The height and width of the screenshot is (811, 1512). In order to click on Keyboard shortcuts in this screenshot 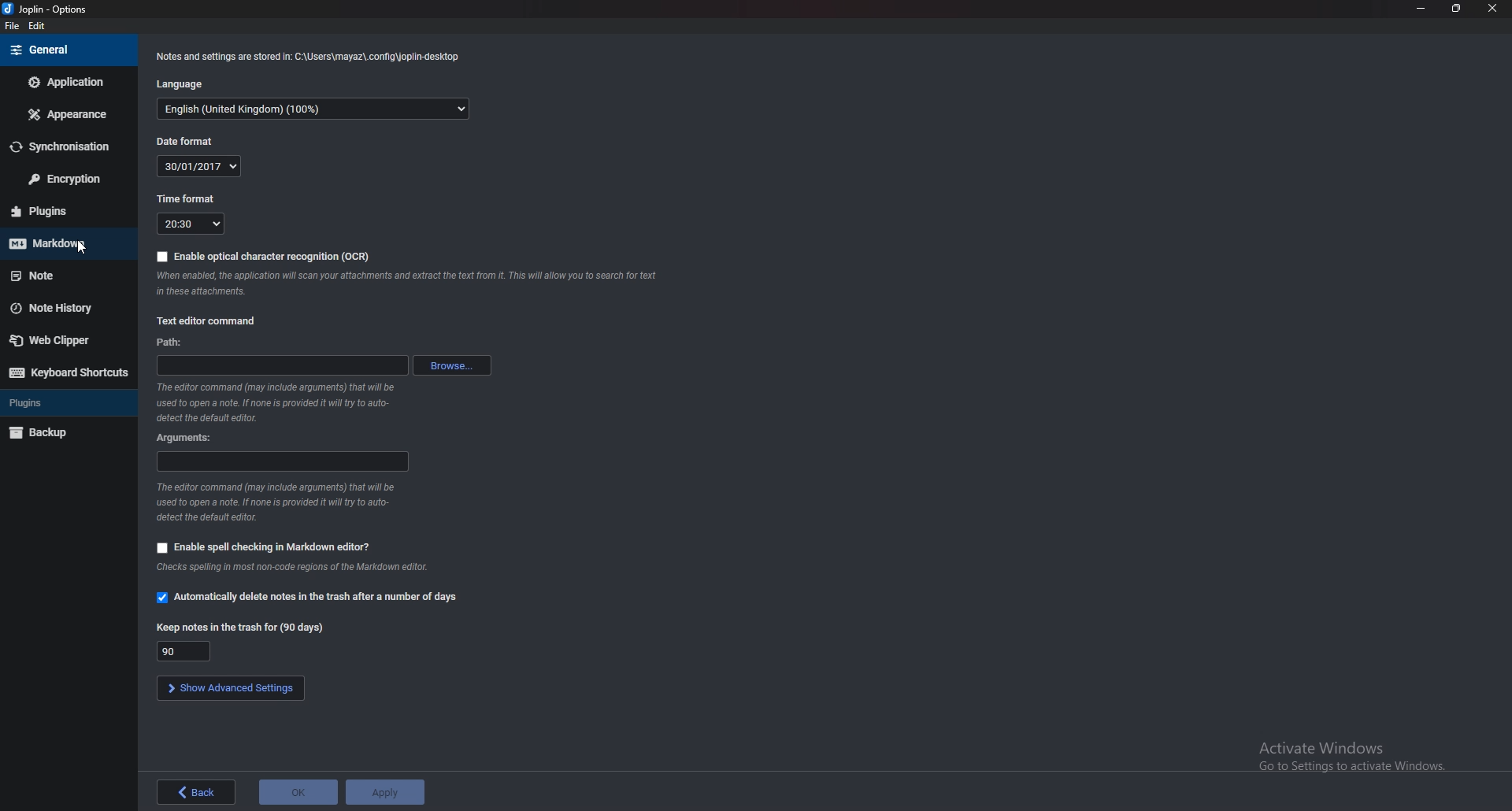, I will do `click(67, 372)`.